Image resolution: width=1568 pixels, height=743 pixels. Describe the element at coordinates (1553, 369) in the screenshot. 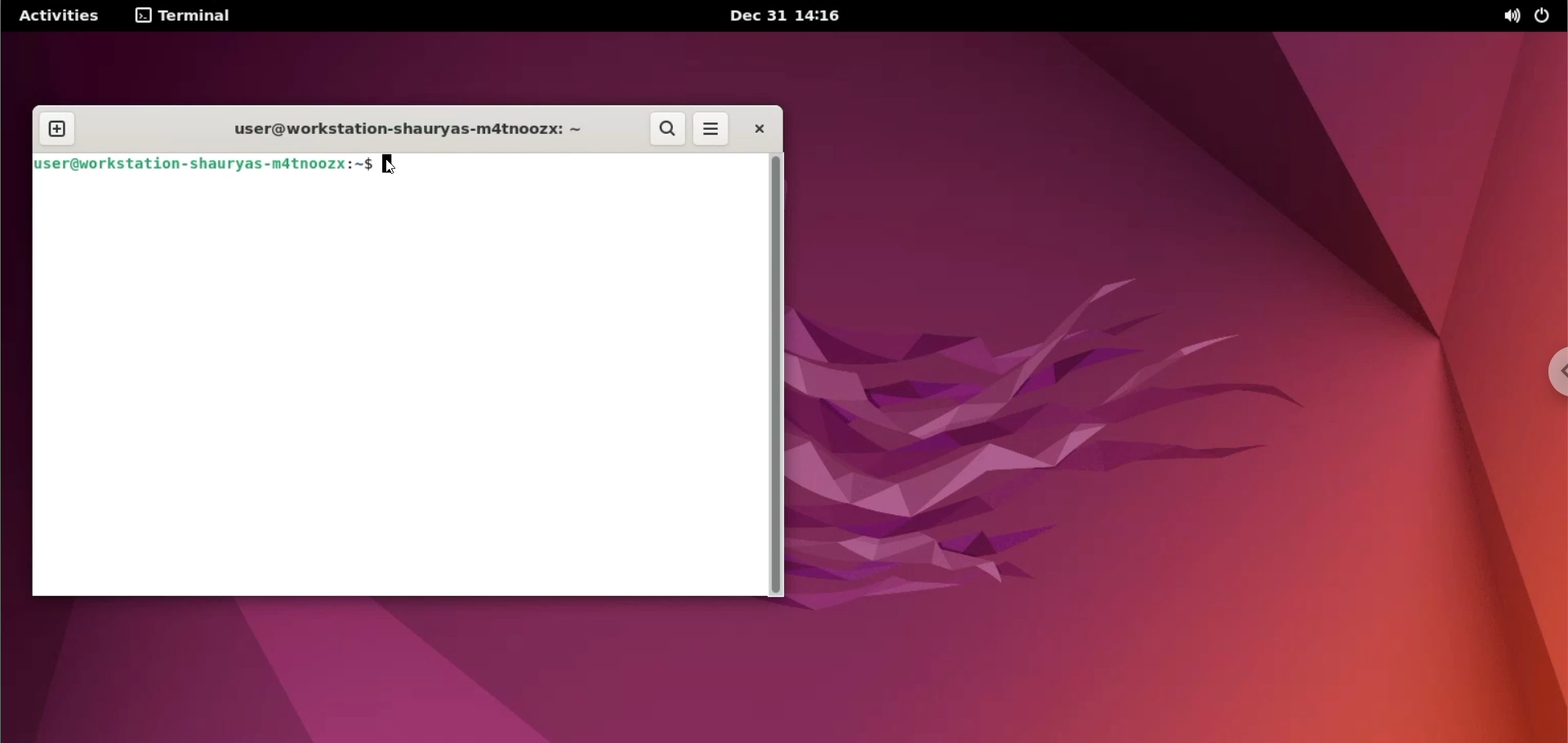

I see `chrome options` at that location.